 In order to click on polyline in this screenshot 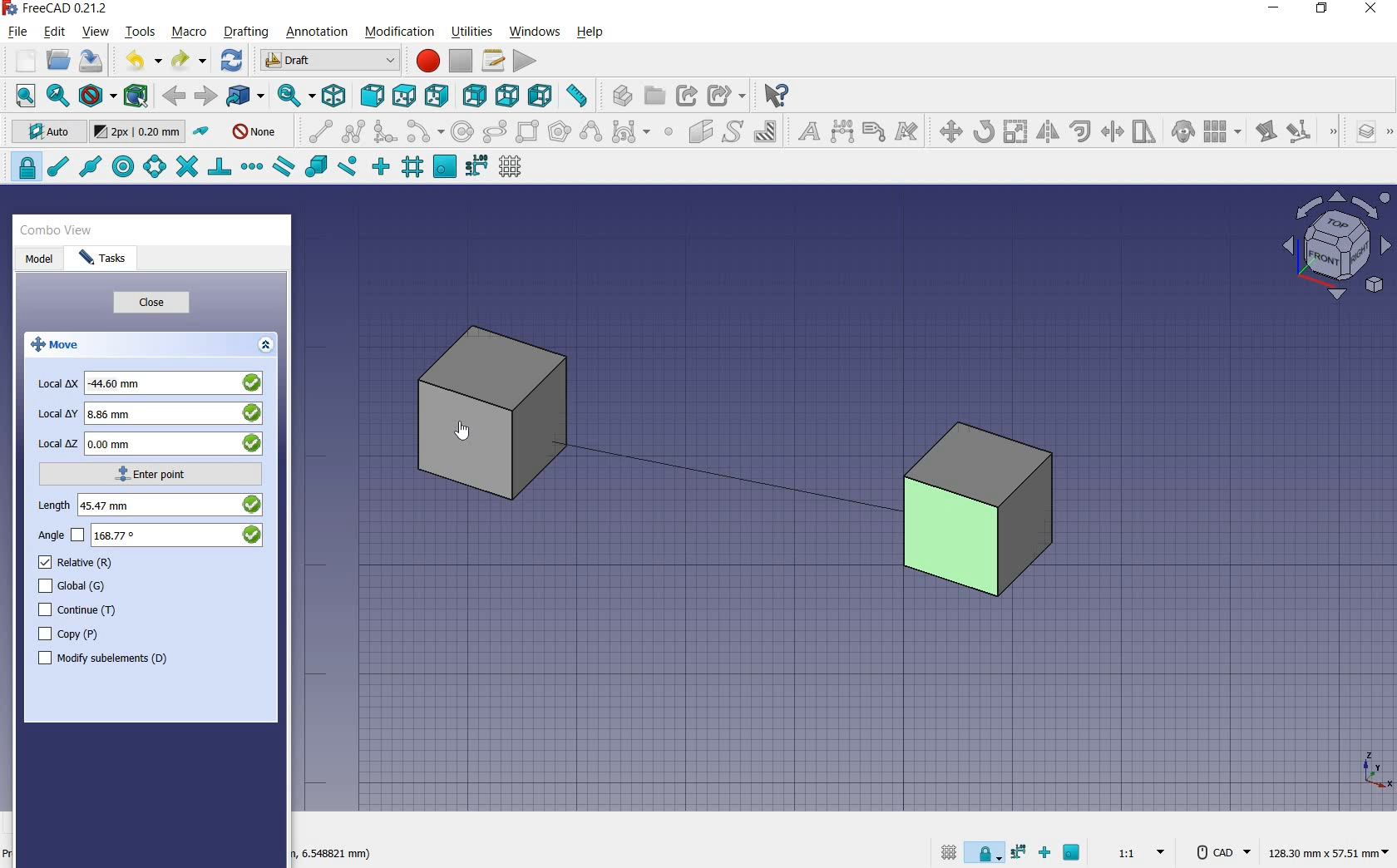, I will do `click(354, 132)`.